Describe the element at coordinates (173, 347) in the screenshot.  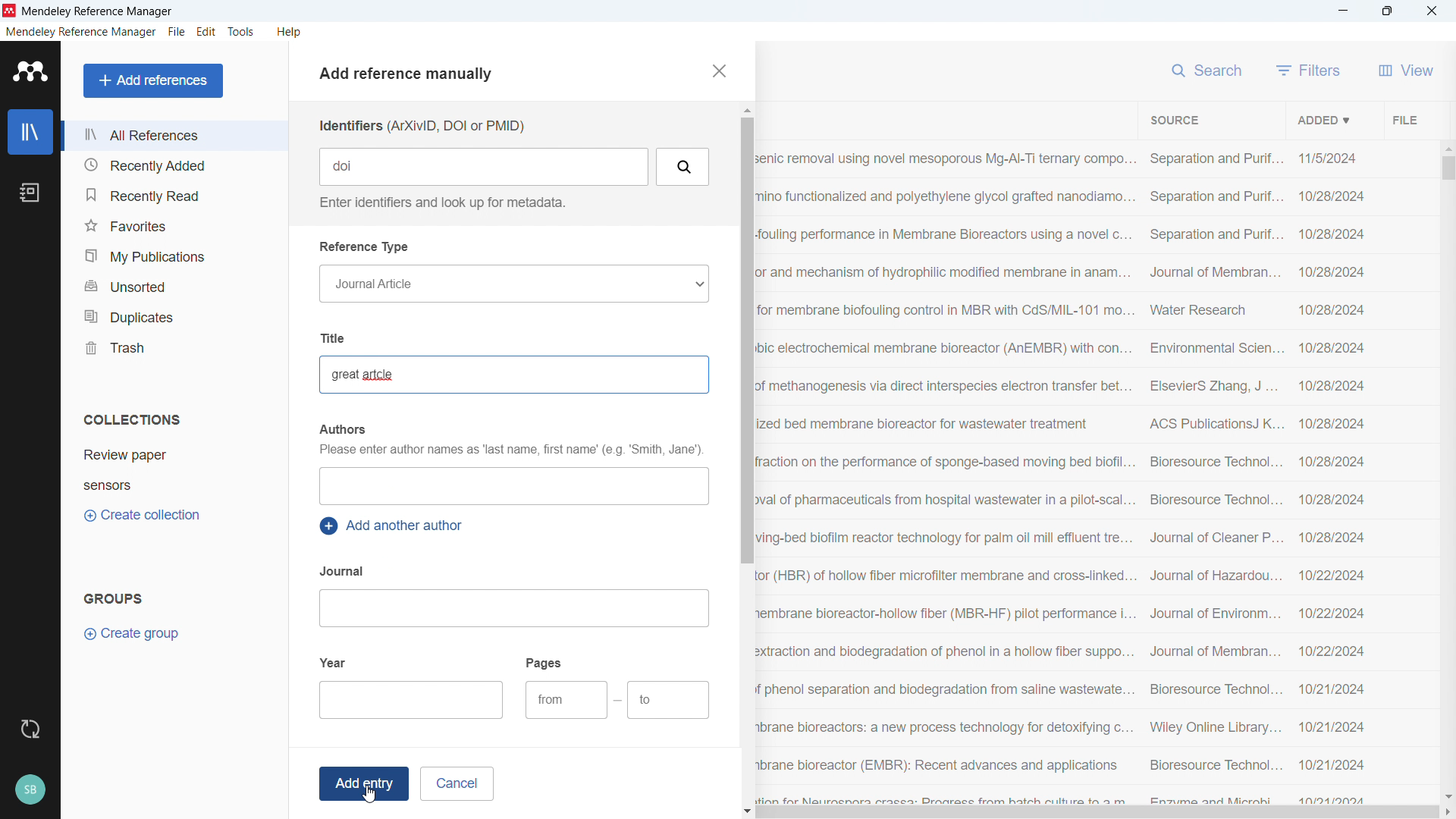
I see `Trash ` at that location.